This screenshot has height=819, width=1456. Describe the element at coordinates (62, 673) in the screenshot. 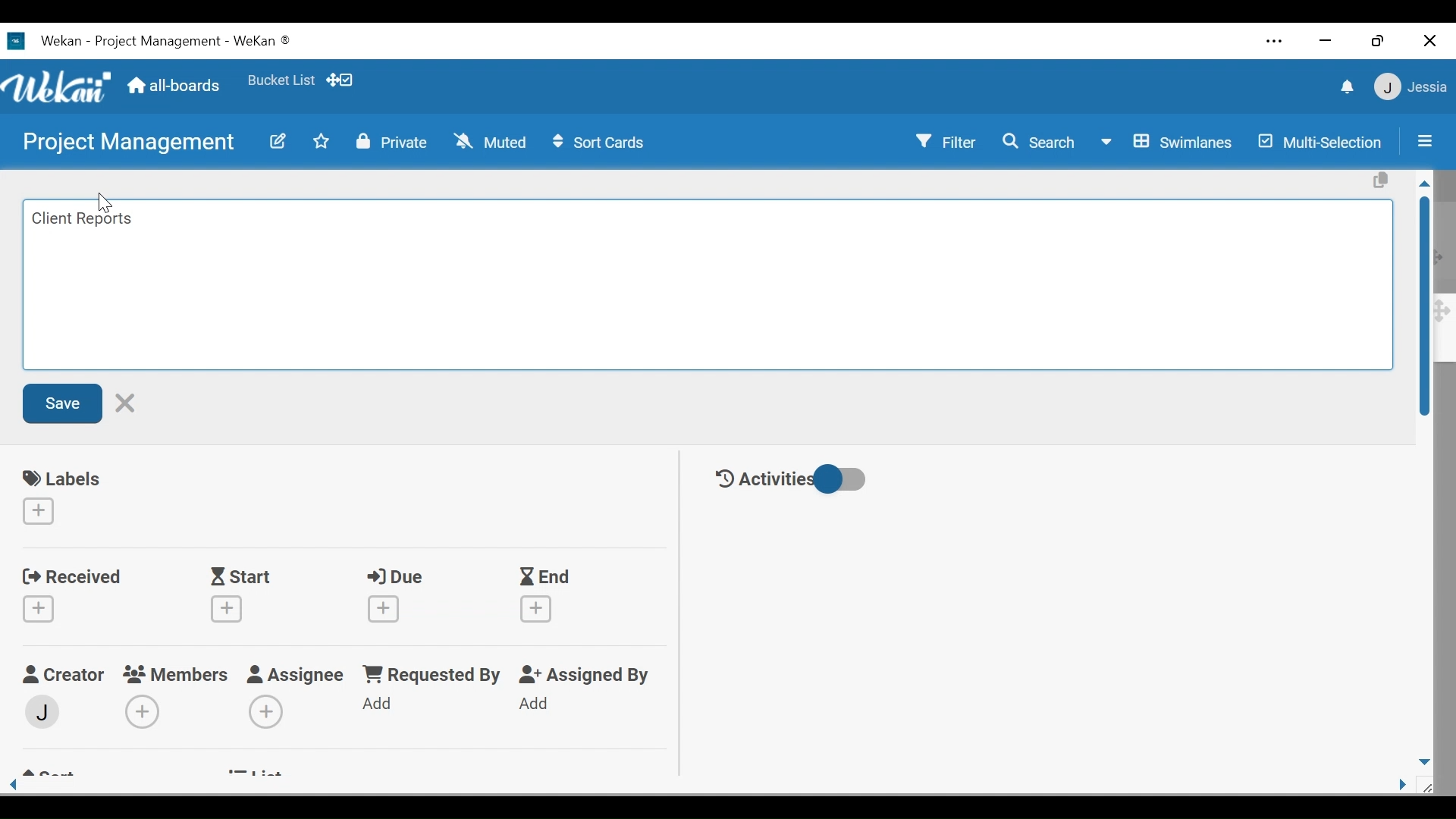

I see `Craetor` at that location.